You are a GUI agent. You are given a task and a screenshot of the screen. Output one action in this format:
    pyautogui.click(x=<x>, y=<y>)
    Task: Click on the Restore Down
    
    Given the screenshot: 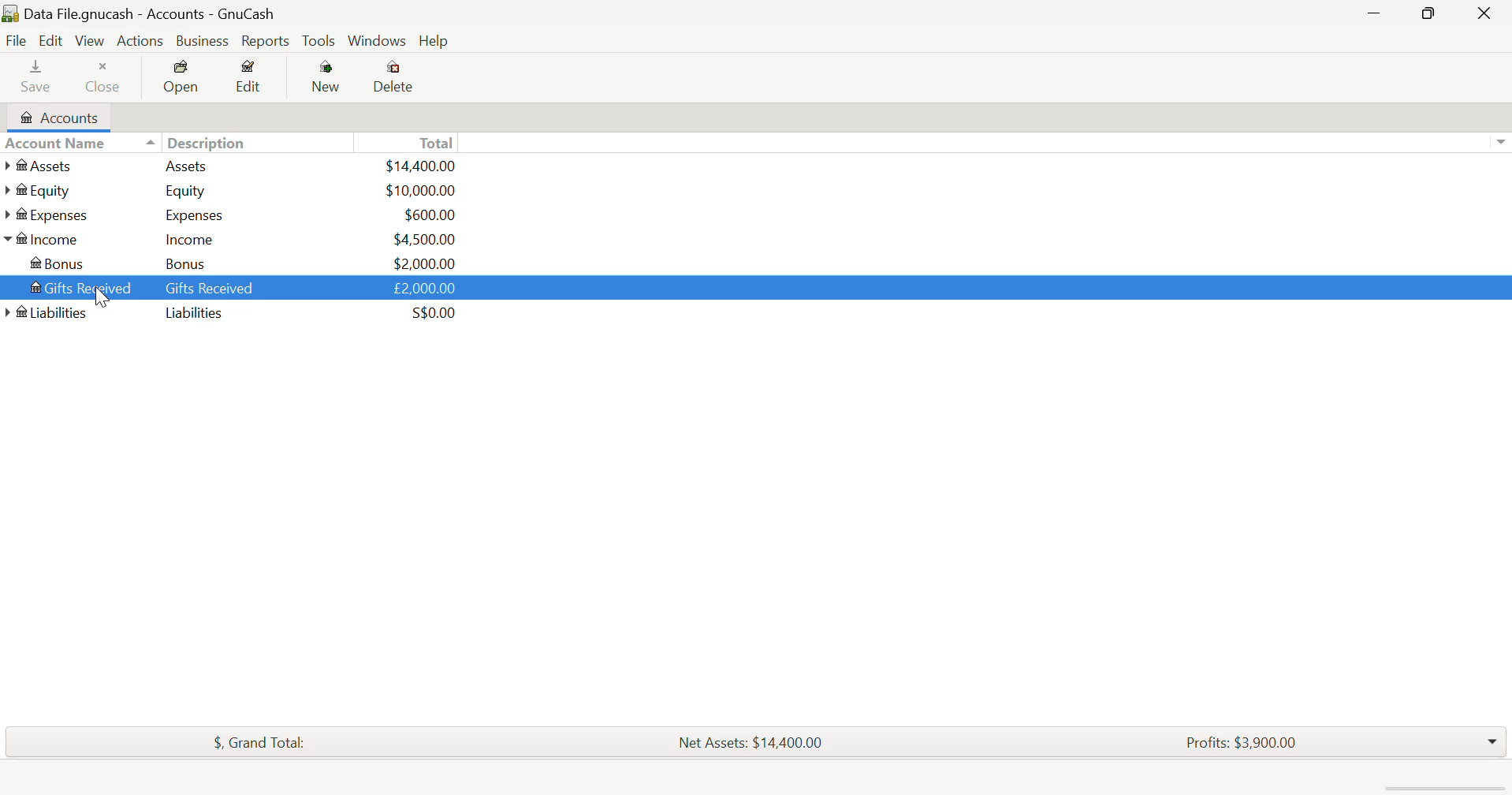 What is the action you would take?
    pyautogui.click(x=1377, y=13)
    